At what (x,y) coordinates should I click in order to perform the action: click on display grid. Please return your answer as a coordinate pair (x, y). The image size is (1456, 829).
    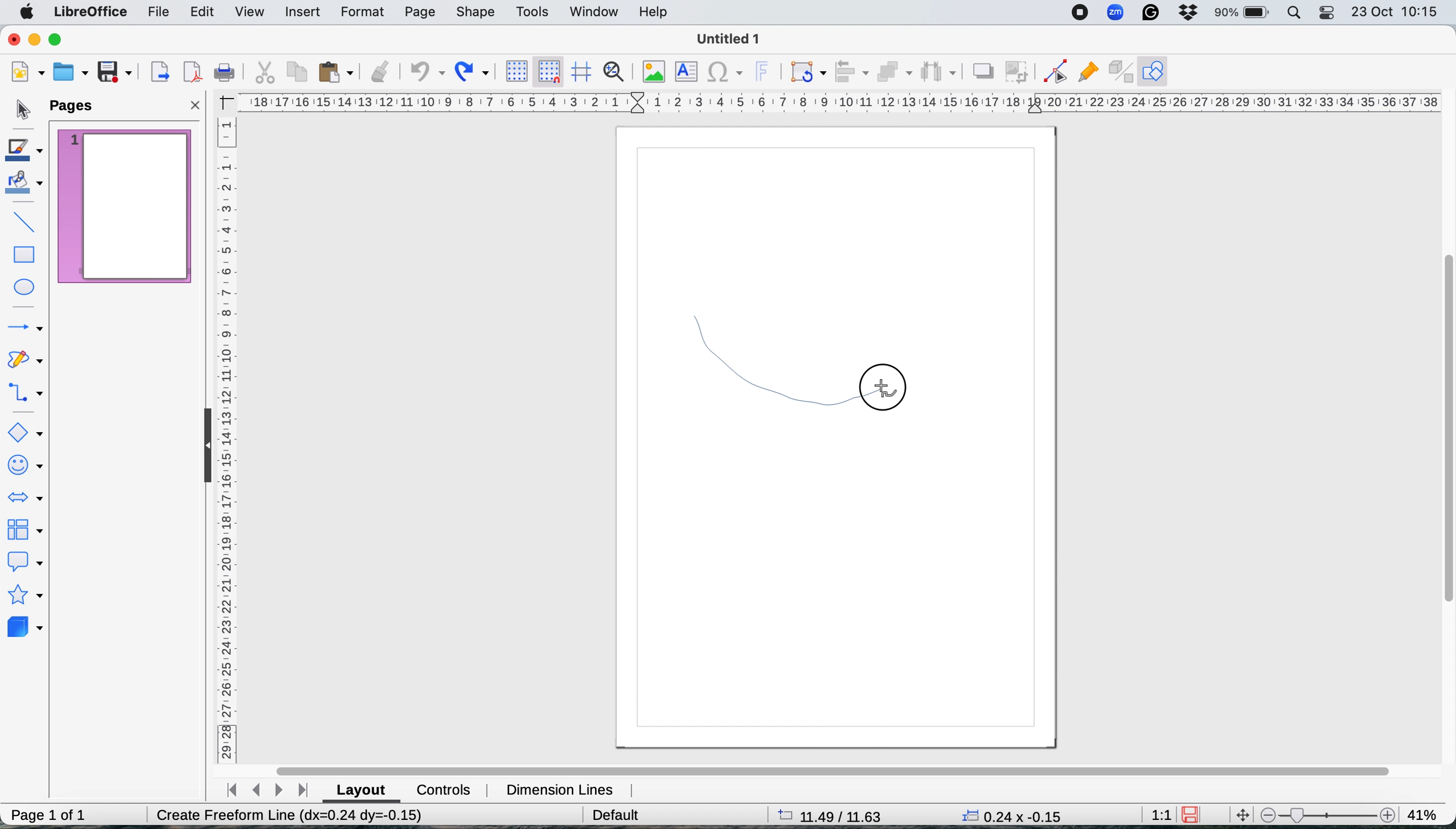
    Looking at the image, I should click on (520, 71).